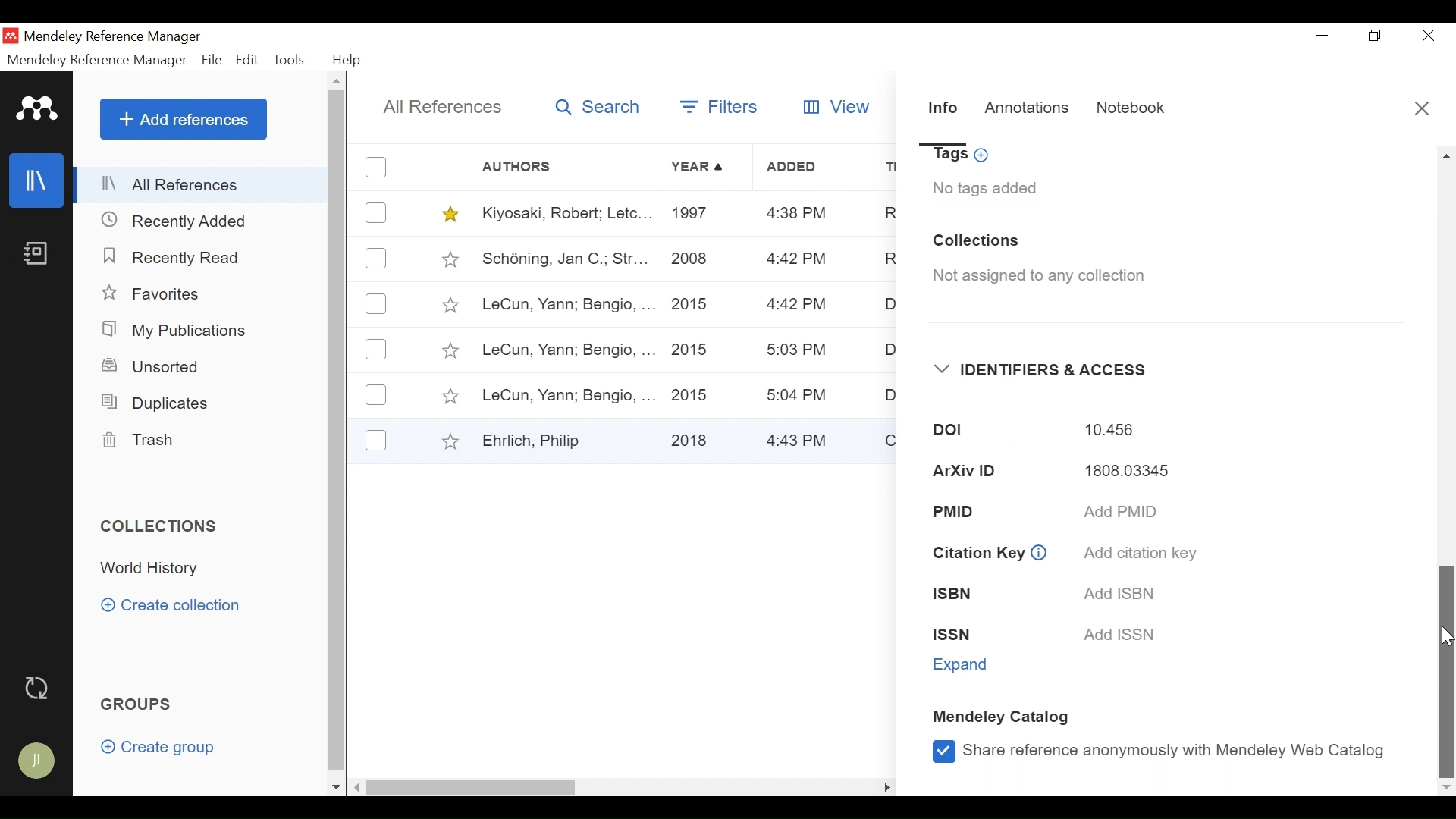 The width and height of the screenshot is (1456, 819). Describe the element at coordinates (1109, 431) in the screenshot. I see `10.456` at that location.